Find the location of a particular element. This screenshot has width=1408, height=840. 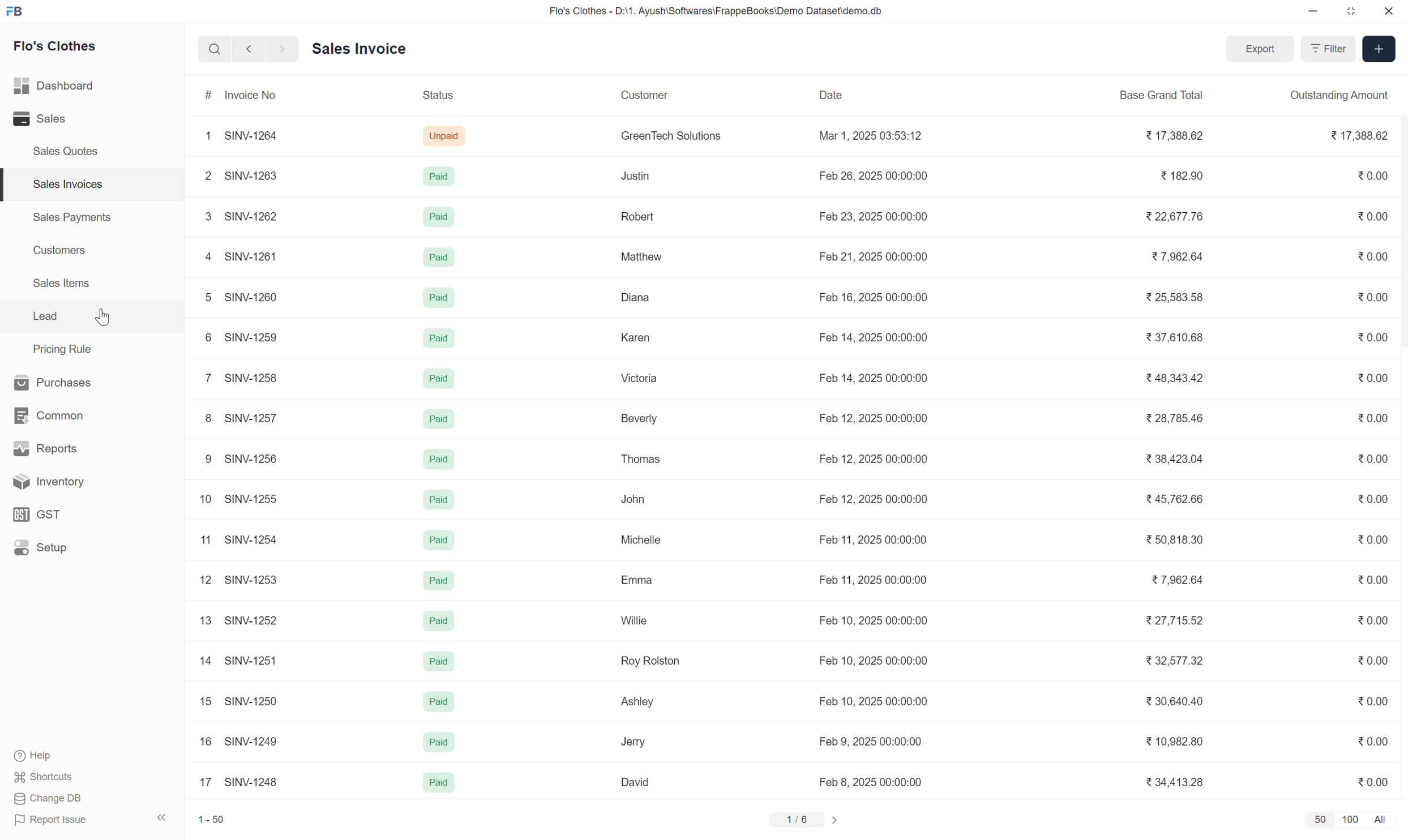

Export is located at coordinates (1257, 48).